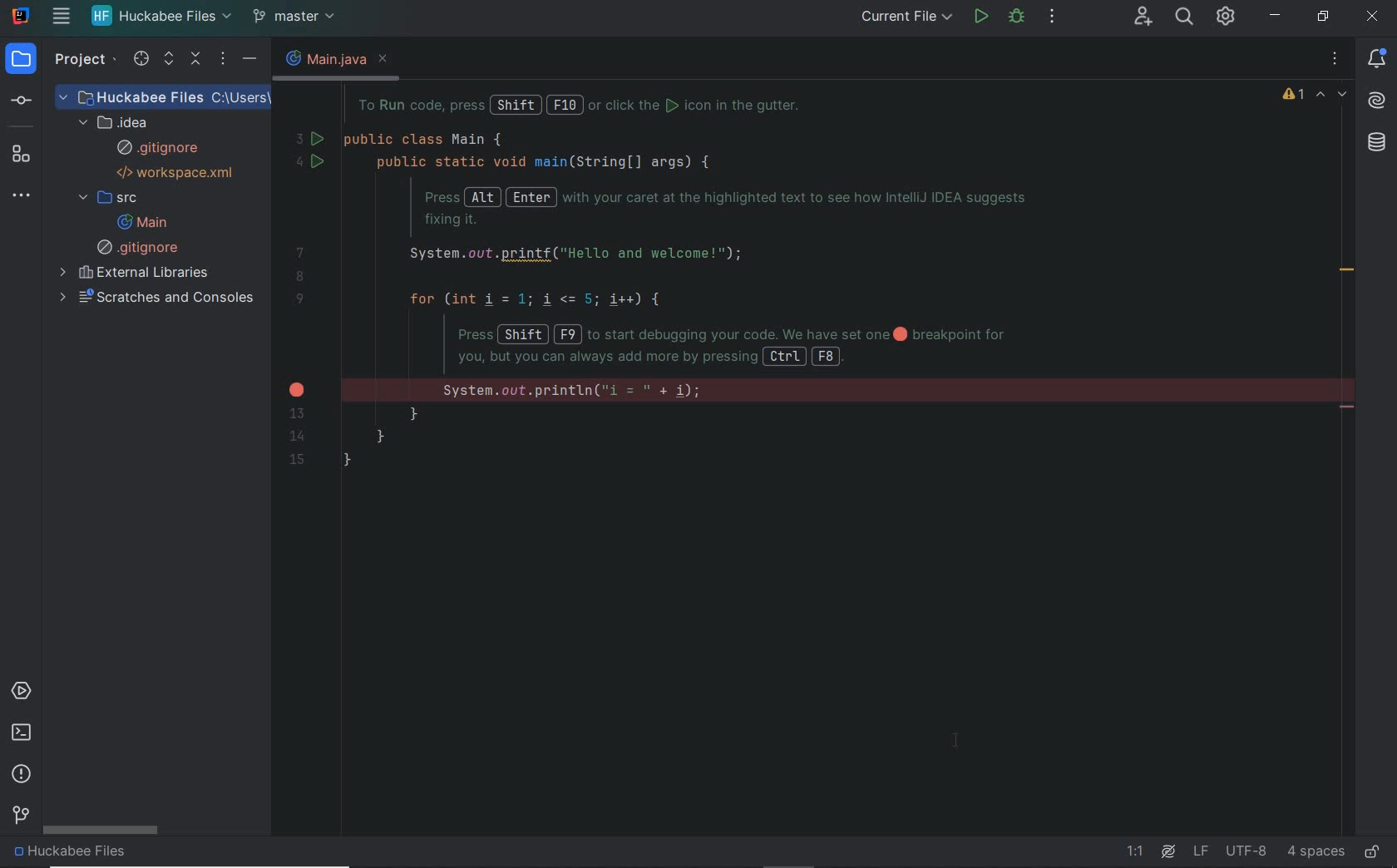 This screenshot has width=1397, height=868. What do you see at coordinates (1370, 18) in the screenshot?
I see `close` at bounding box center [1370, 18].